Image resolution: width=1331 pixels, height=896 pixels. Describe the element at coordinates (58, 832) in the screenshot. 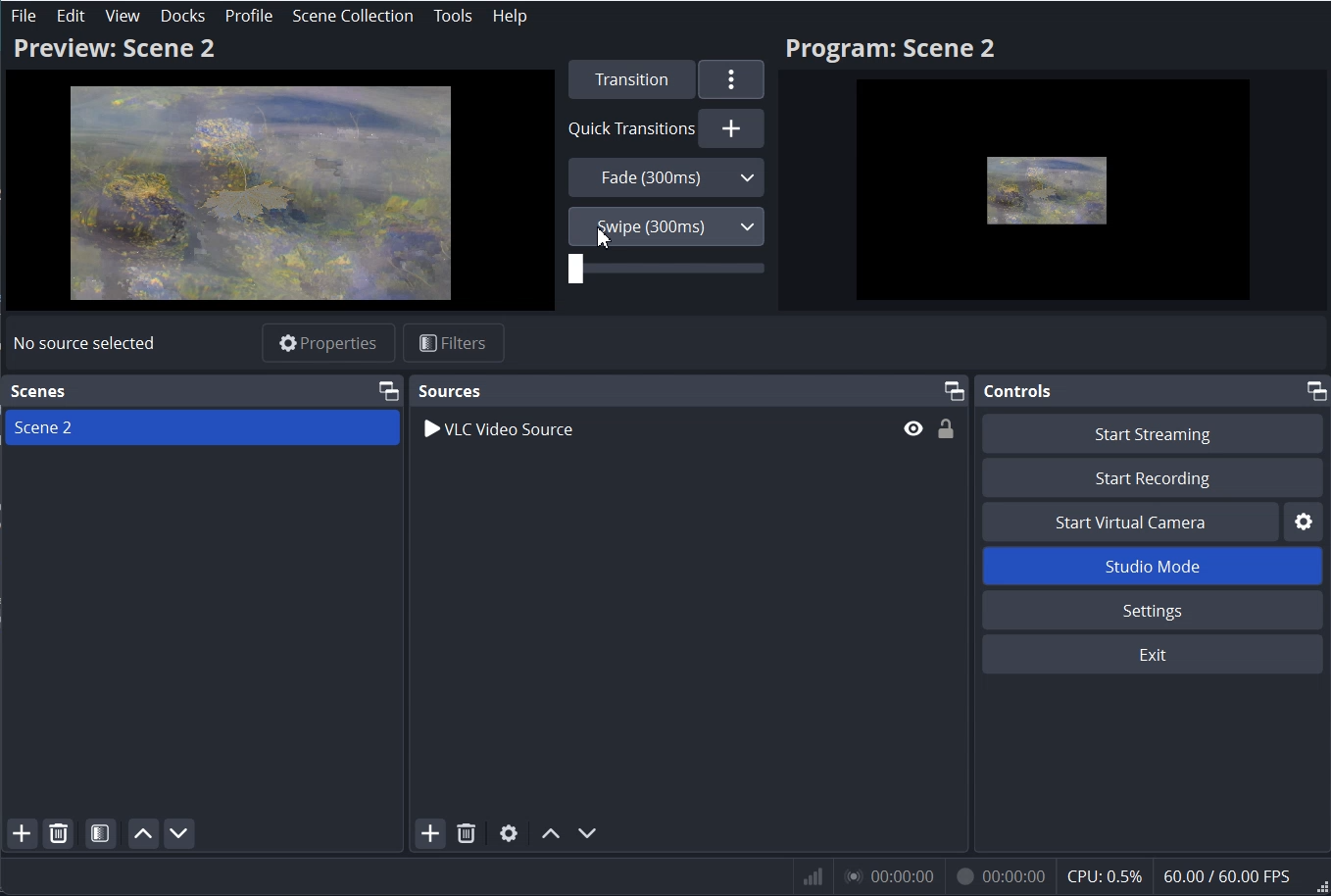

I see `Remove Selected Scene` at that location.